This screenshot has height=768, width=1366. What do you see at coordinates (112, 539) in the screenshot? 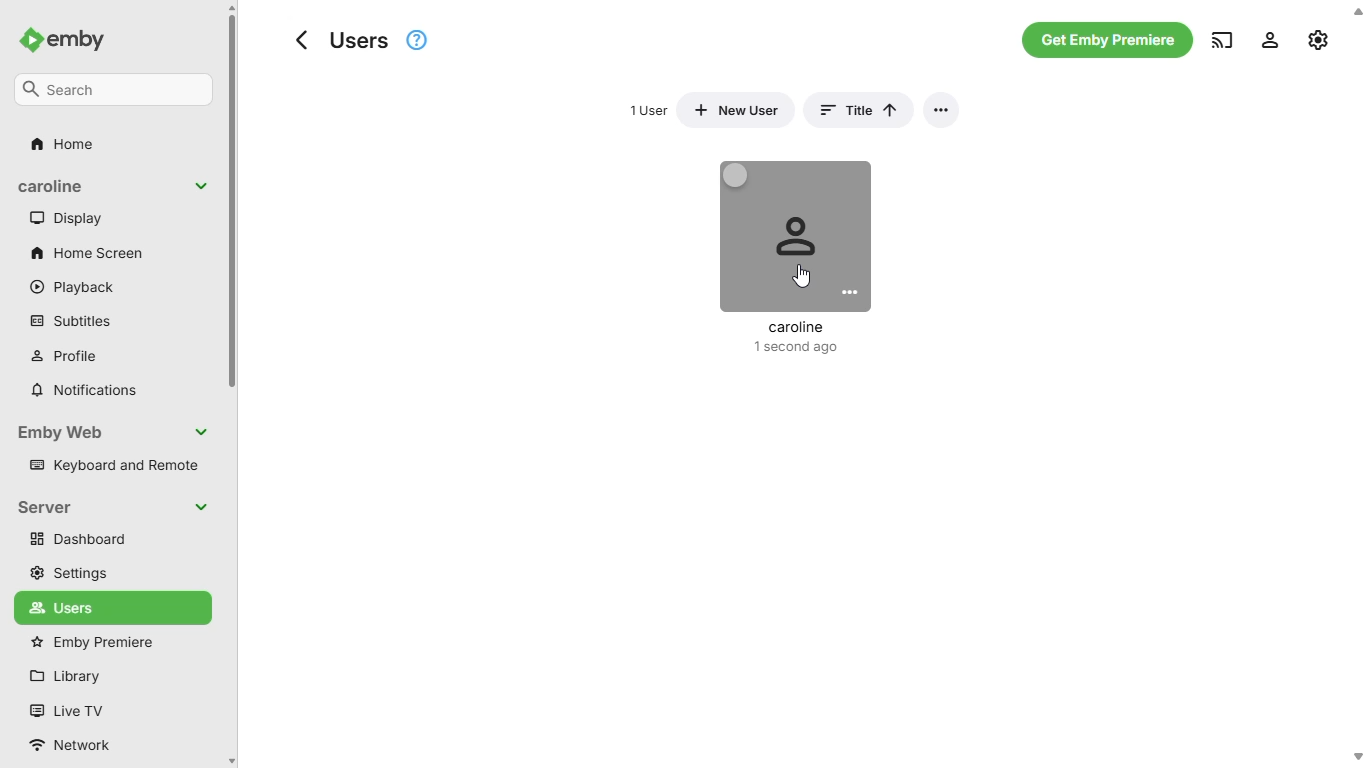
I see `dashboard` at bounding box center [112, 539].